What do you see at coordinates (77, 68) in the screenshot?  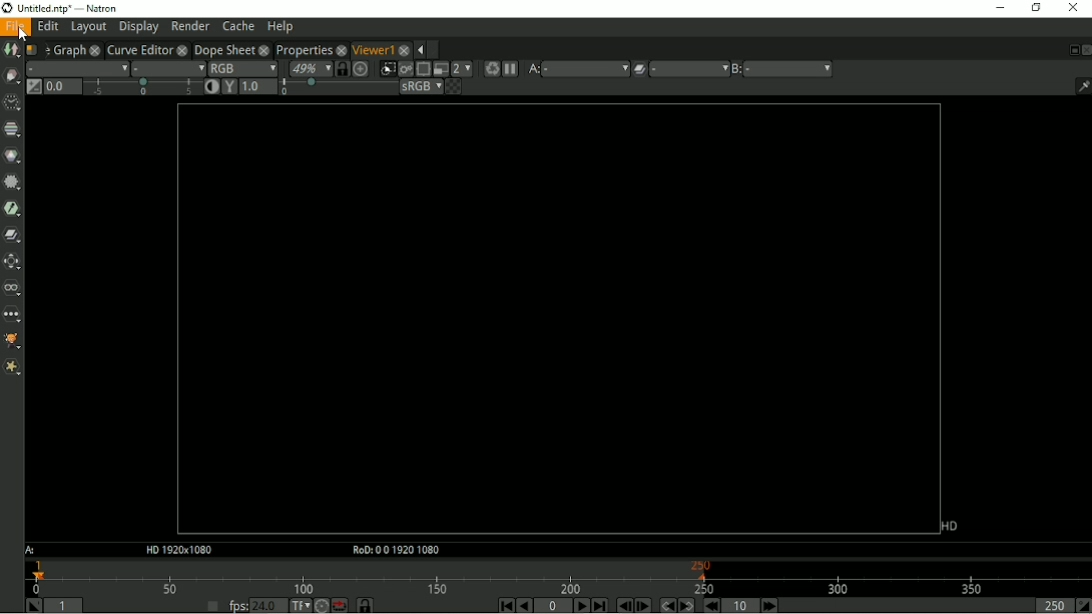 I see `Layer` at bounding box center [77, 68].